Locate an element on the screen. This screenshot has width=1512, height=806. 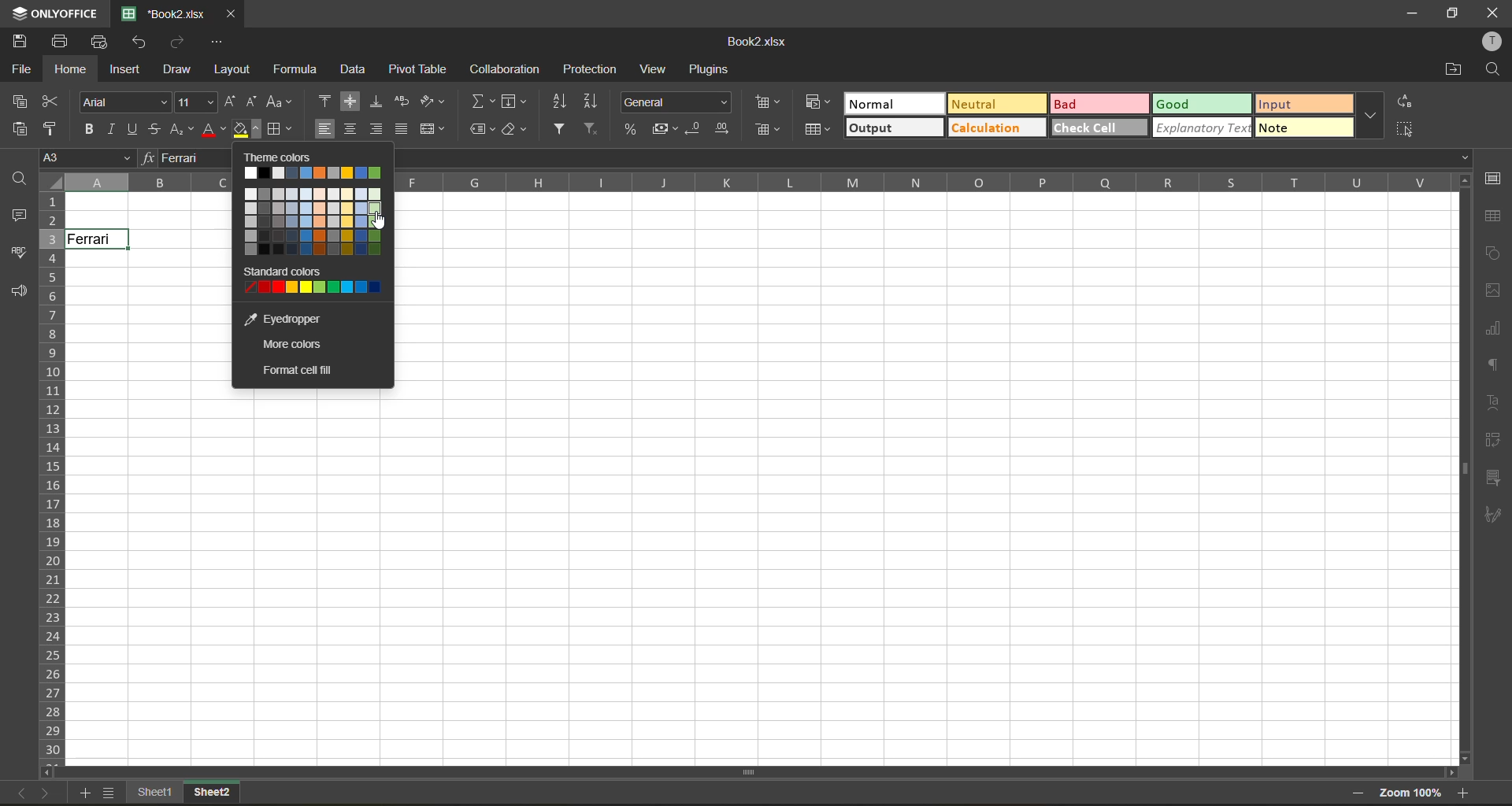
redo is located at coordinates (180, 42).